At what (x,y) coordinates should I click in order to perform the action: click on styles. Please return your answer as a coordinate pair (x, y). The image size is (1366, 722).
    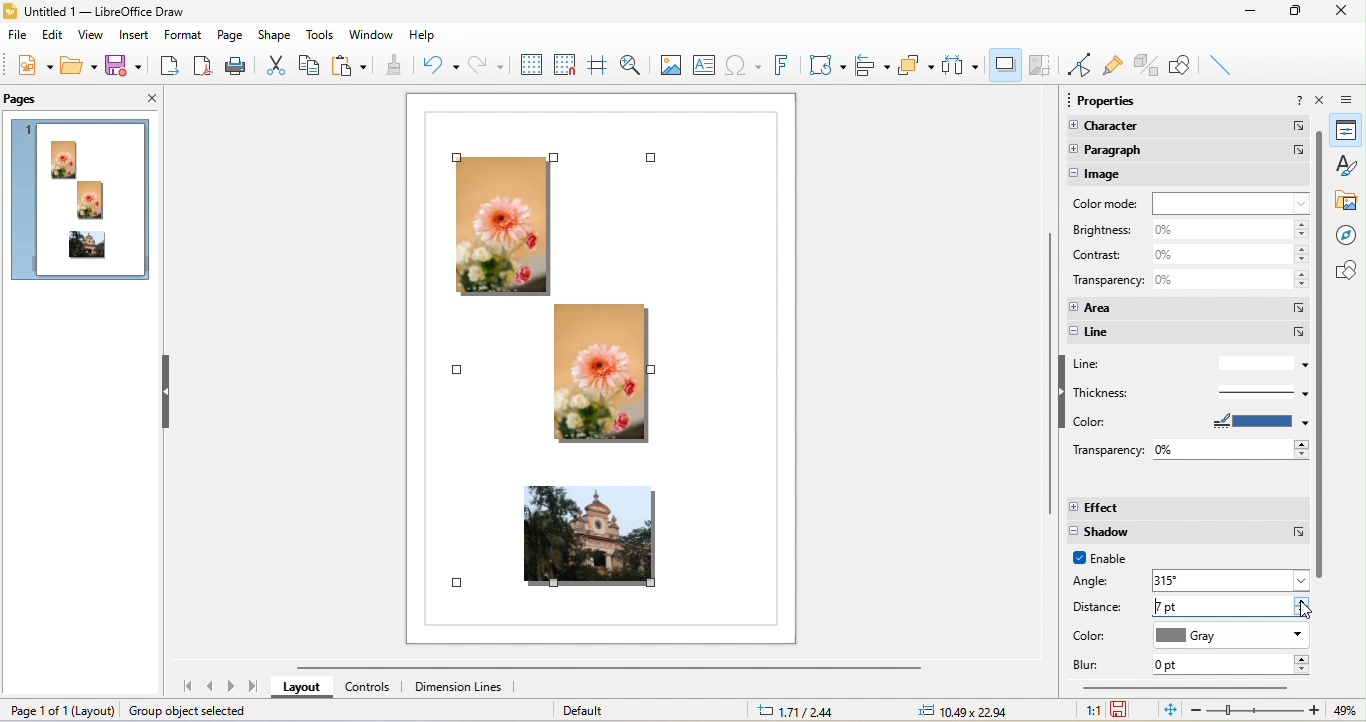
    Looking at the image, I should click on (1351, 168).